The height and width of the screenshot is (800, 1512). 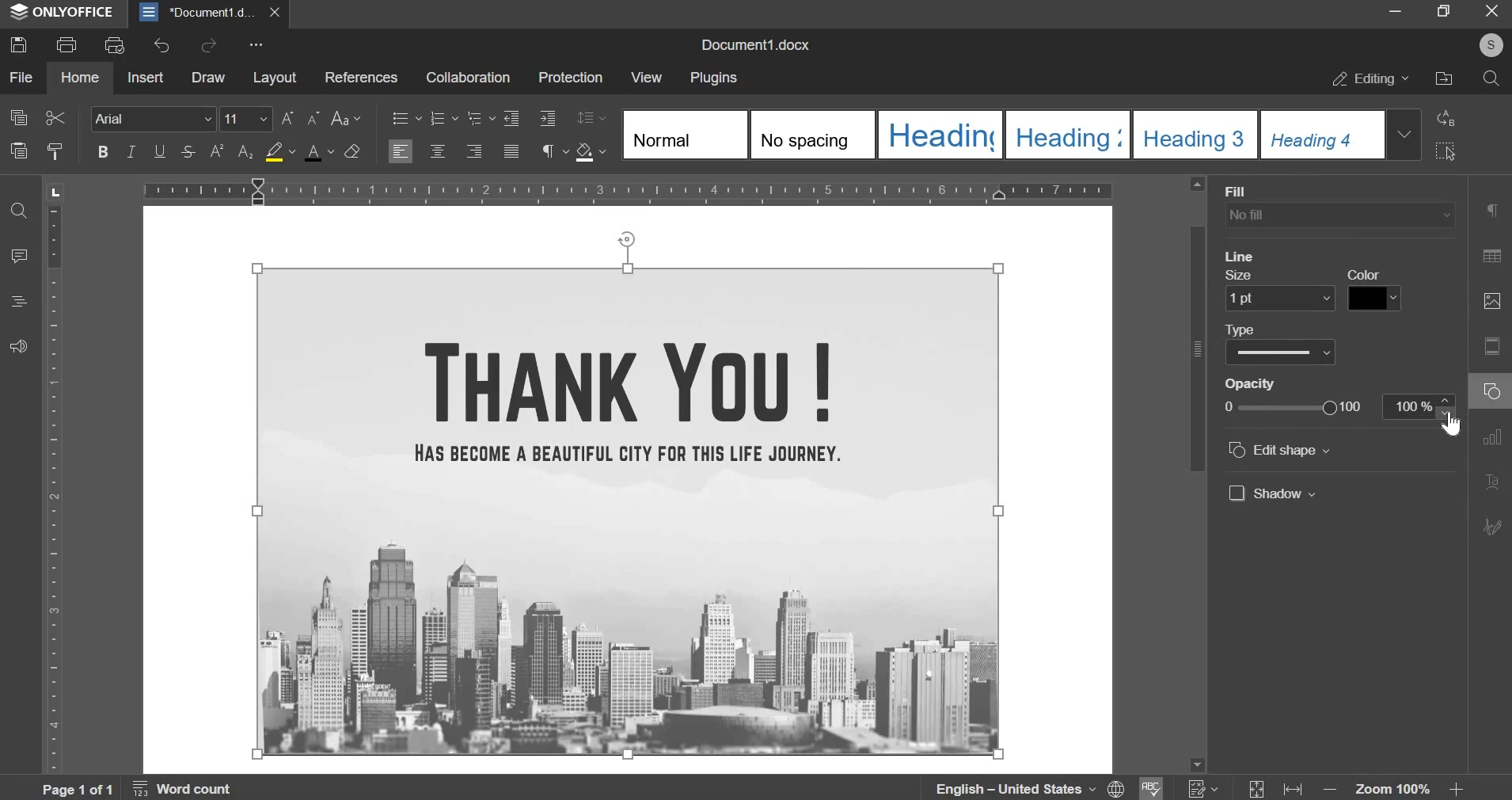 I want to click on italics, so click(x=131, y=150).